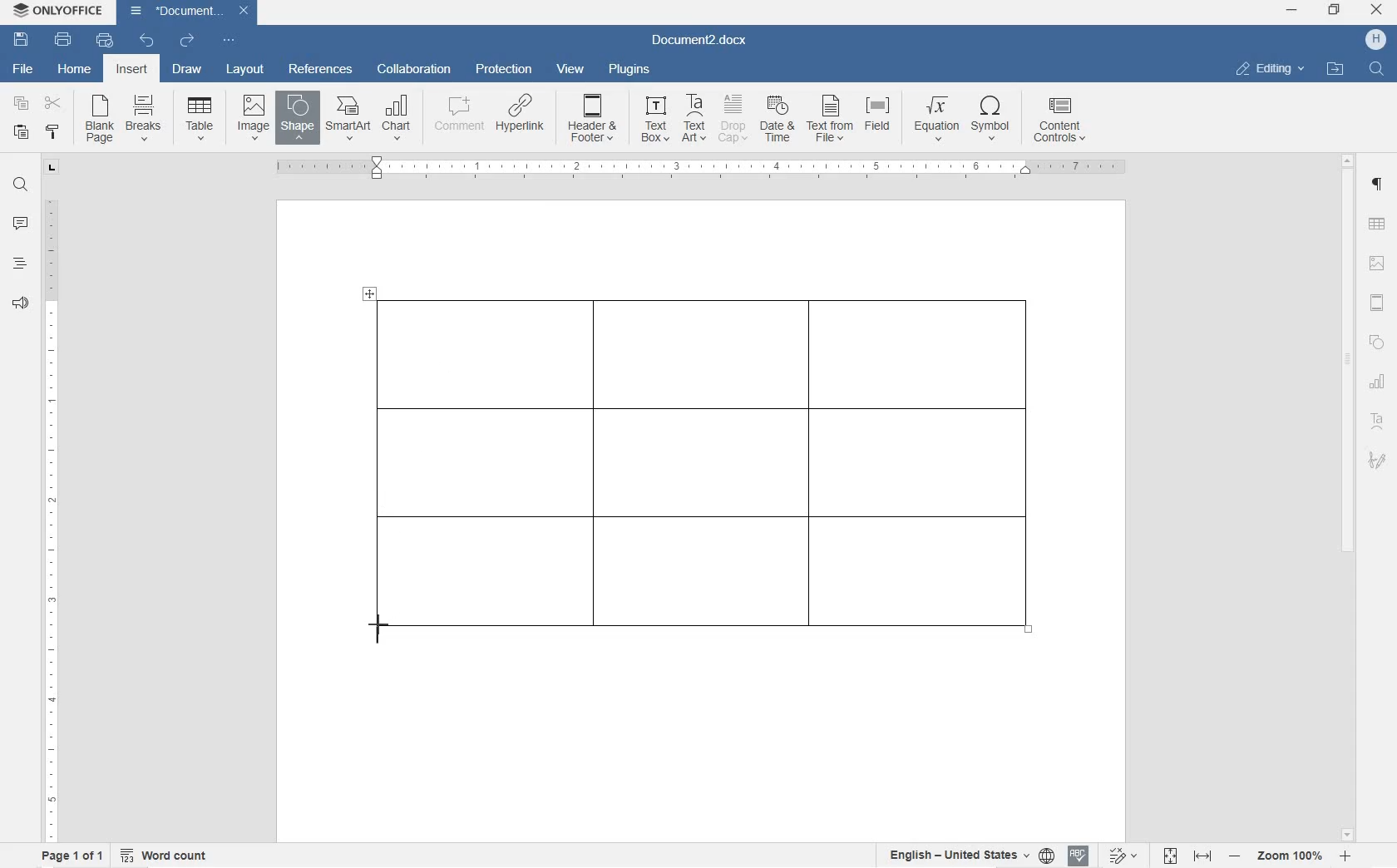  I want to click on insert page breaks, so click(146, 119).